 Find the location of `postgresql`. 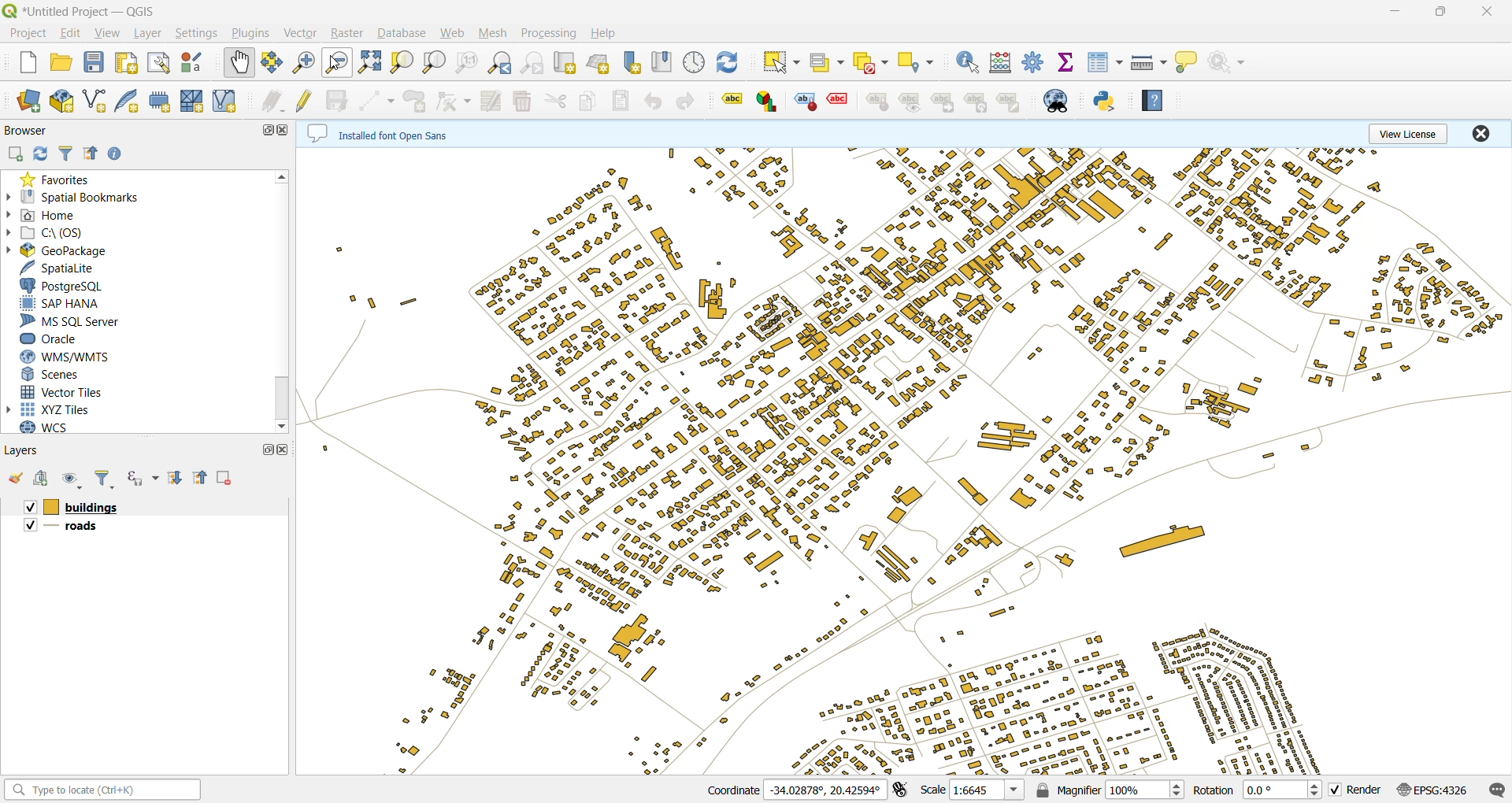

postgresql is located at coordinates (66, 285).